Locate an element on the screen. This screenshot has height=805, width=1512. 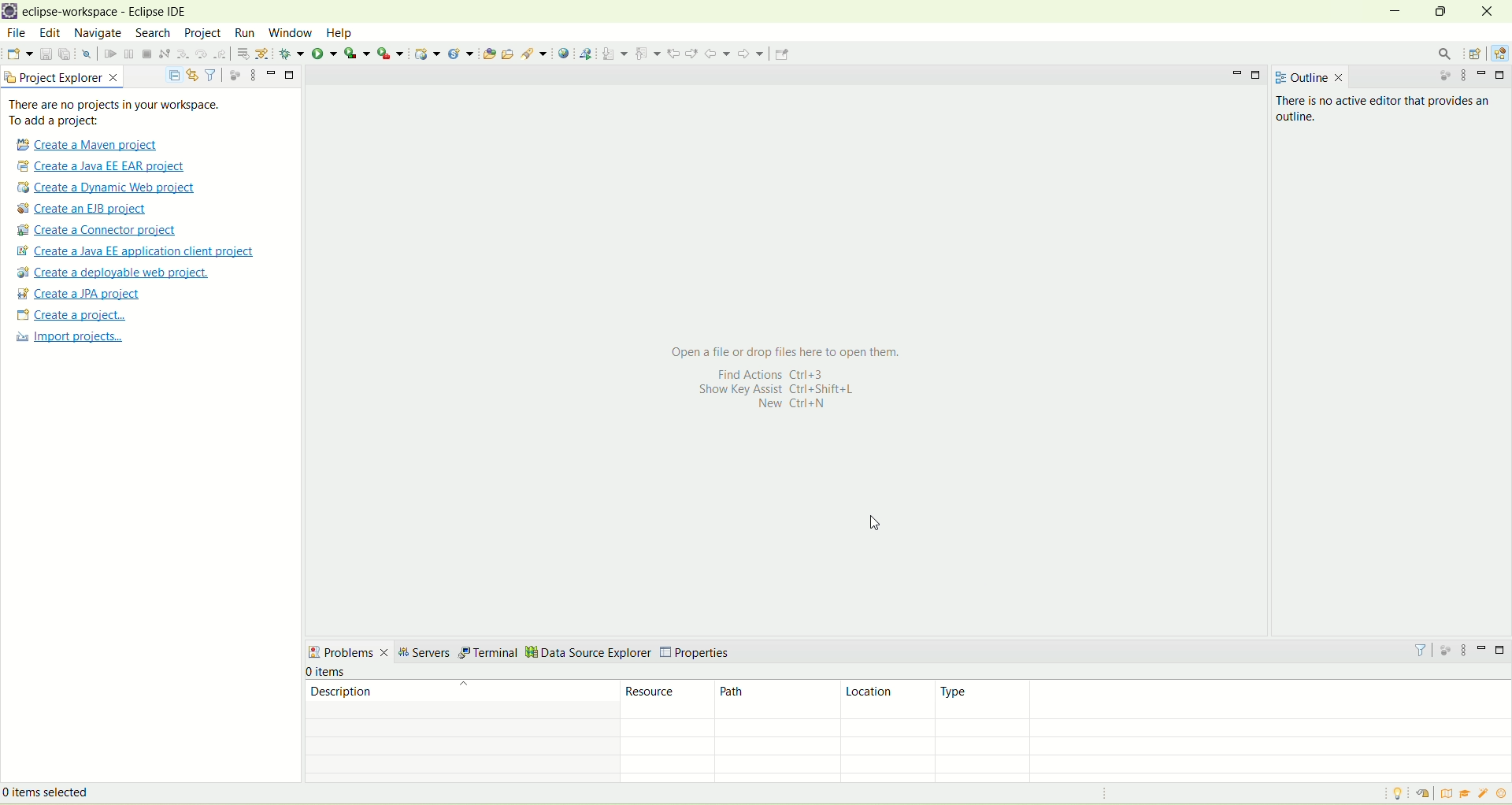
view menu is located at coordinates (253, 74).